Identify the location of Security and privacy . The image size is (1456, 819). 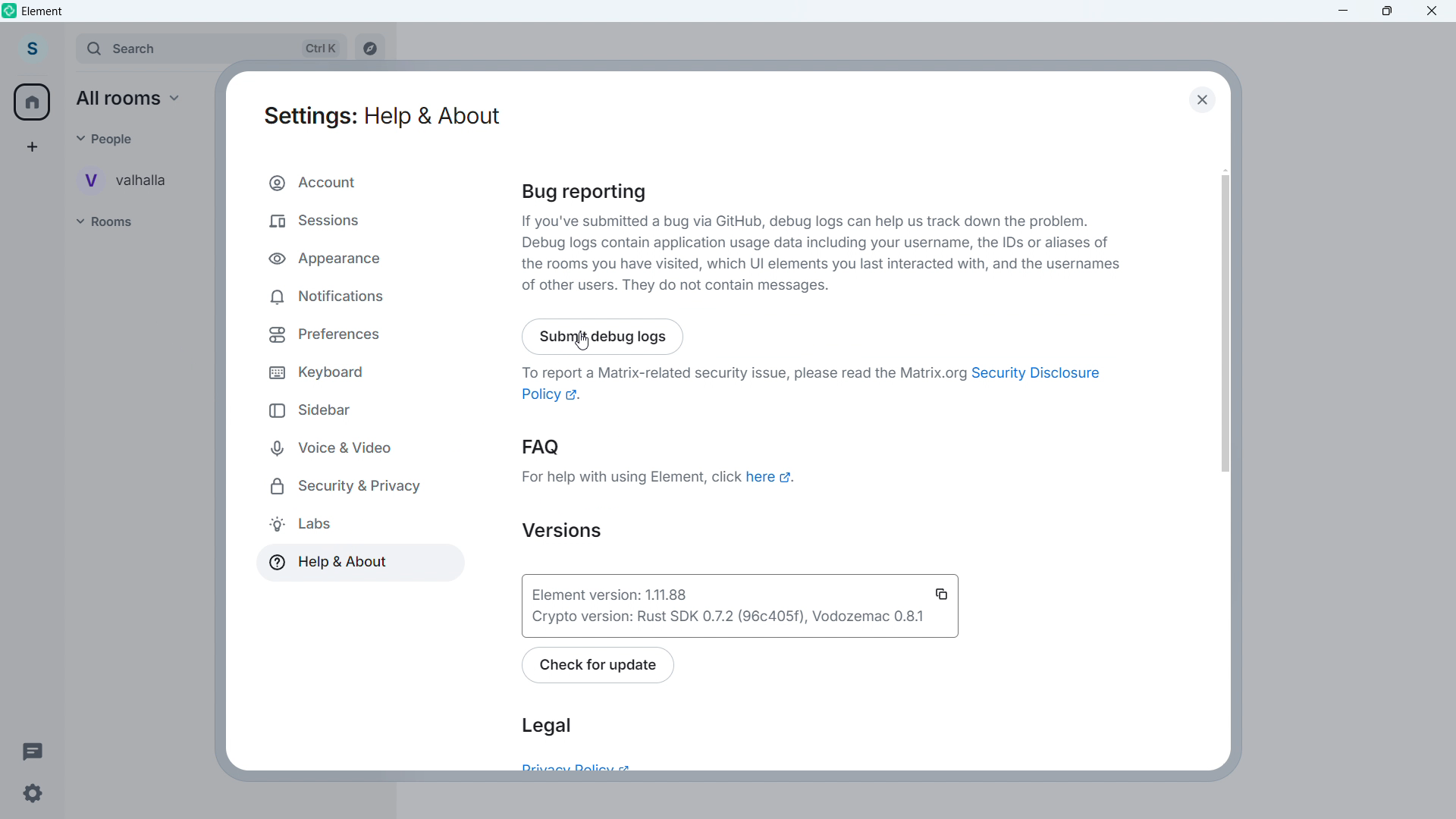
(352, 487).